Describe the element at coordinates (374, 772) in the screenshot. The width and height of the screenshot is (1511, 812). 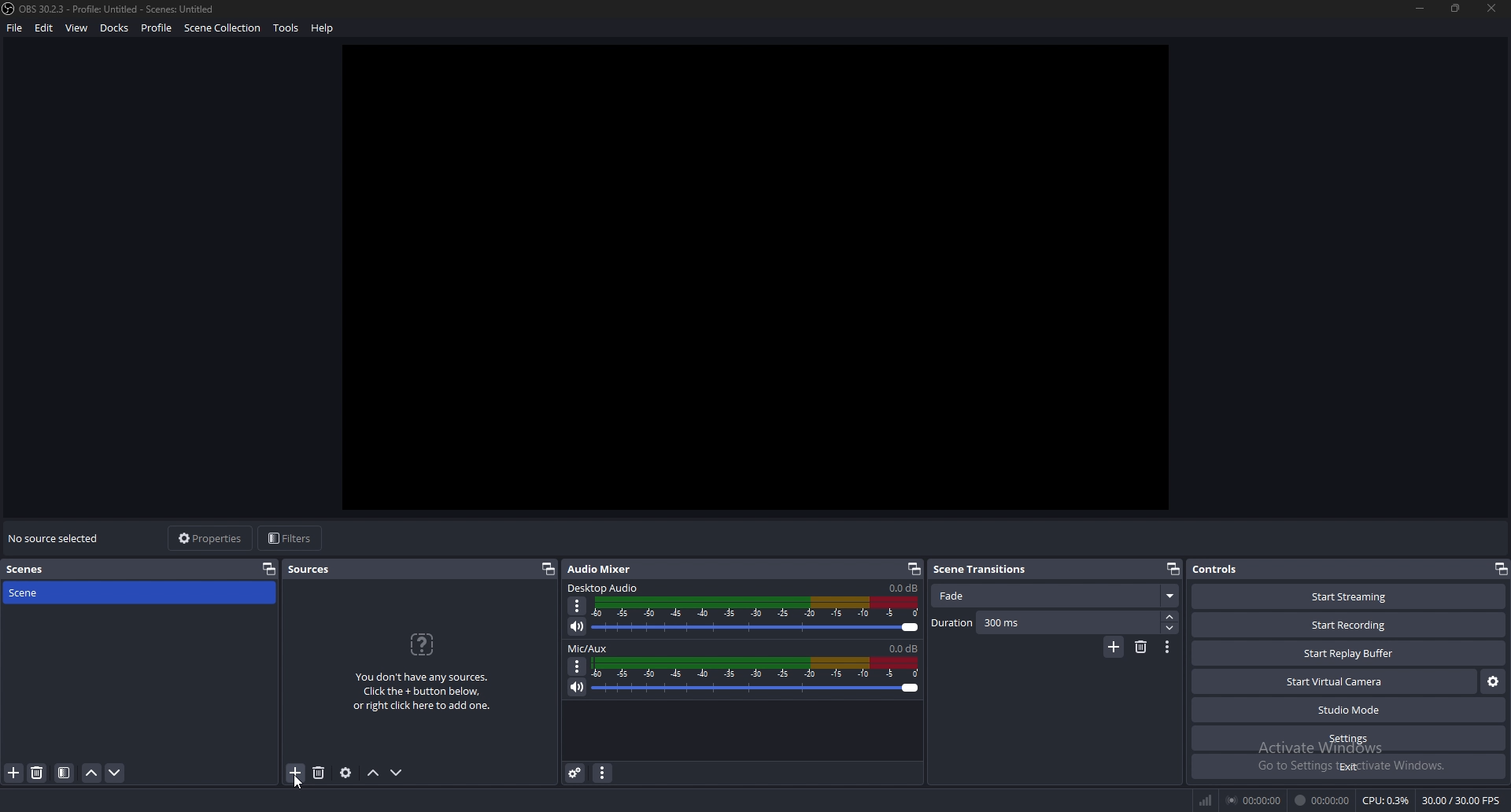
I see `move source up` at that location.